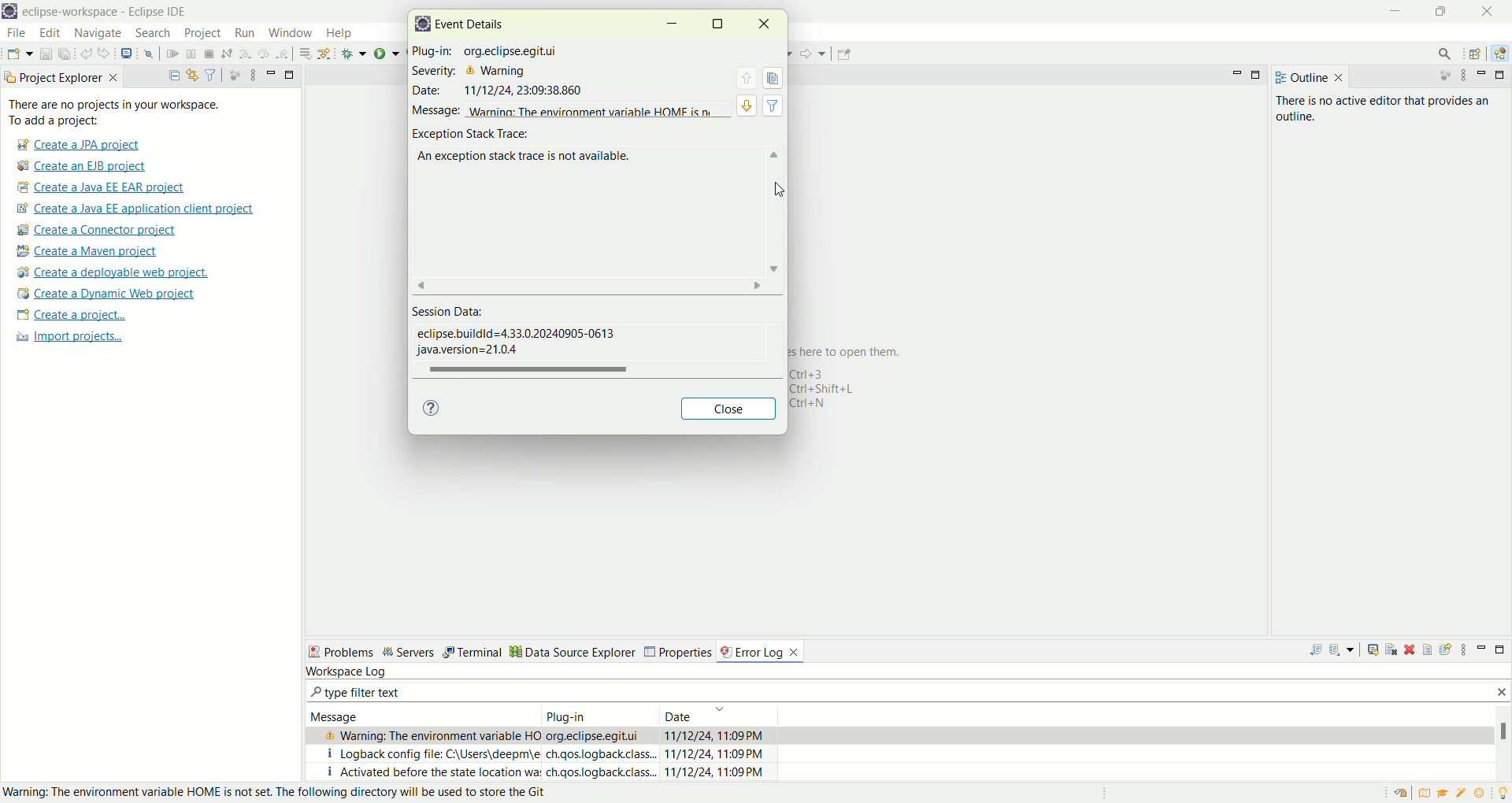 The width and height of the screenshot is (1512, 803). Describe the element at coordinates (191, 73) in the screenshot. I see `link with editor` at that location.